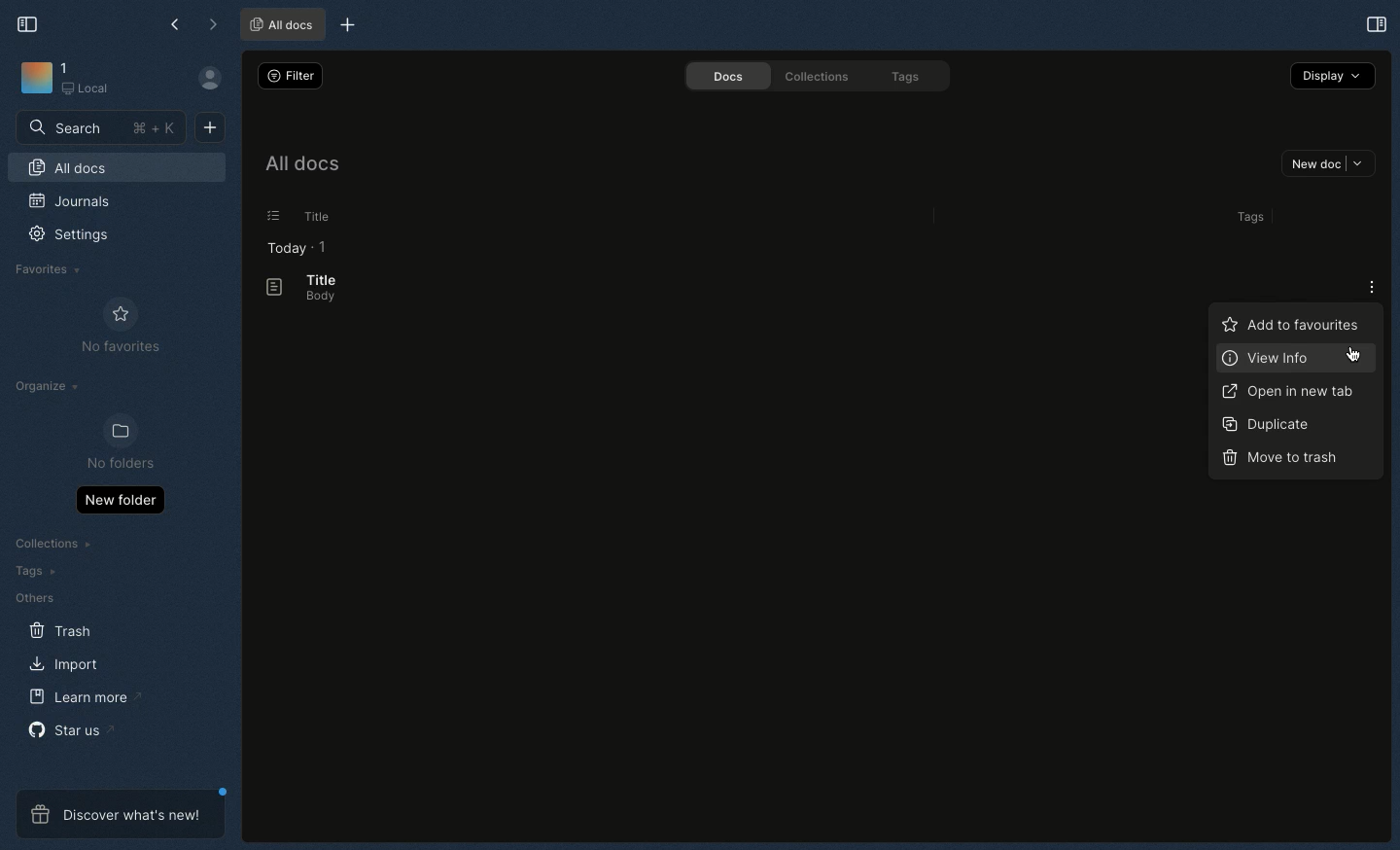 Image resolution: width=1400 pixels, height=850 pixels. Describe the element at coordinates (1246, 217) in the screenshot. I see `Tags` at that location.